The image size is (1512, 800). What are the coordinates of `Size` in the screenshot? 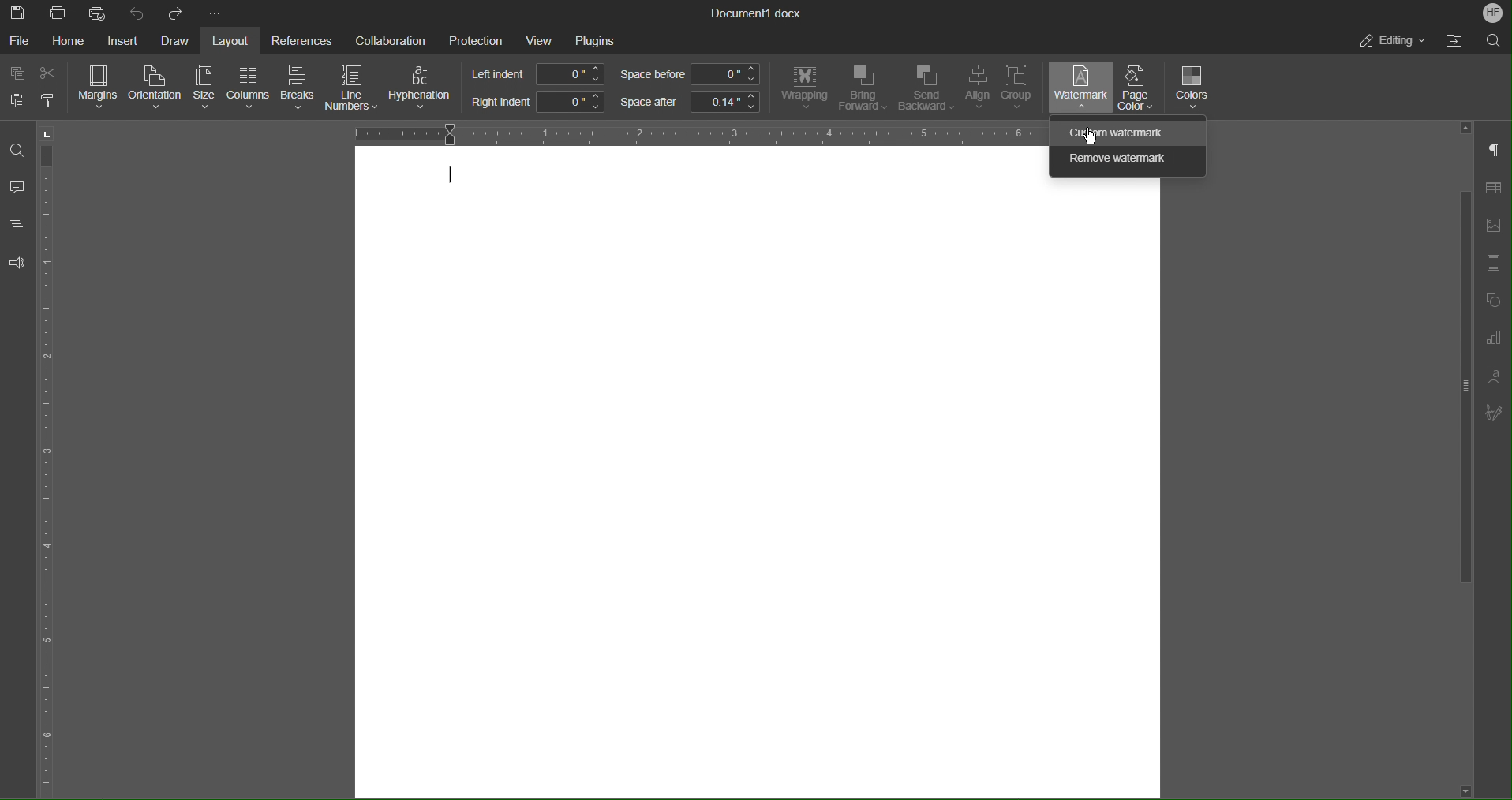 It's located at (202, 88).